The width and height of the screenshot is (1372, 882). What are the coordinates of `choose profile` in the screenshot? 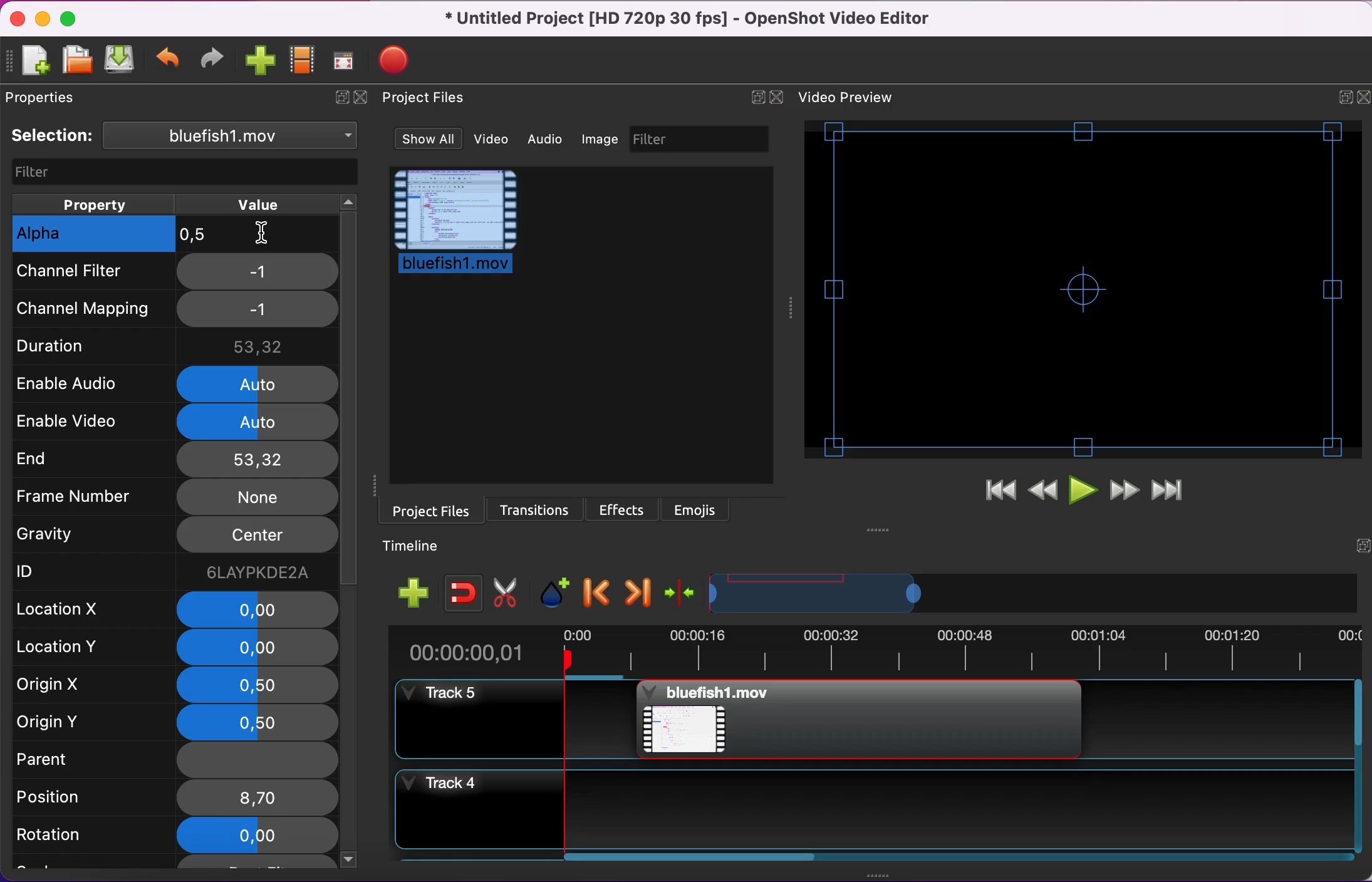 It's located at (305, 60).